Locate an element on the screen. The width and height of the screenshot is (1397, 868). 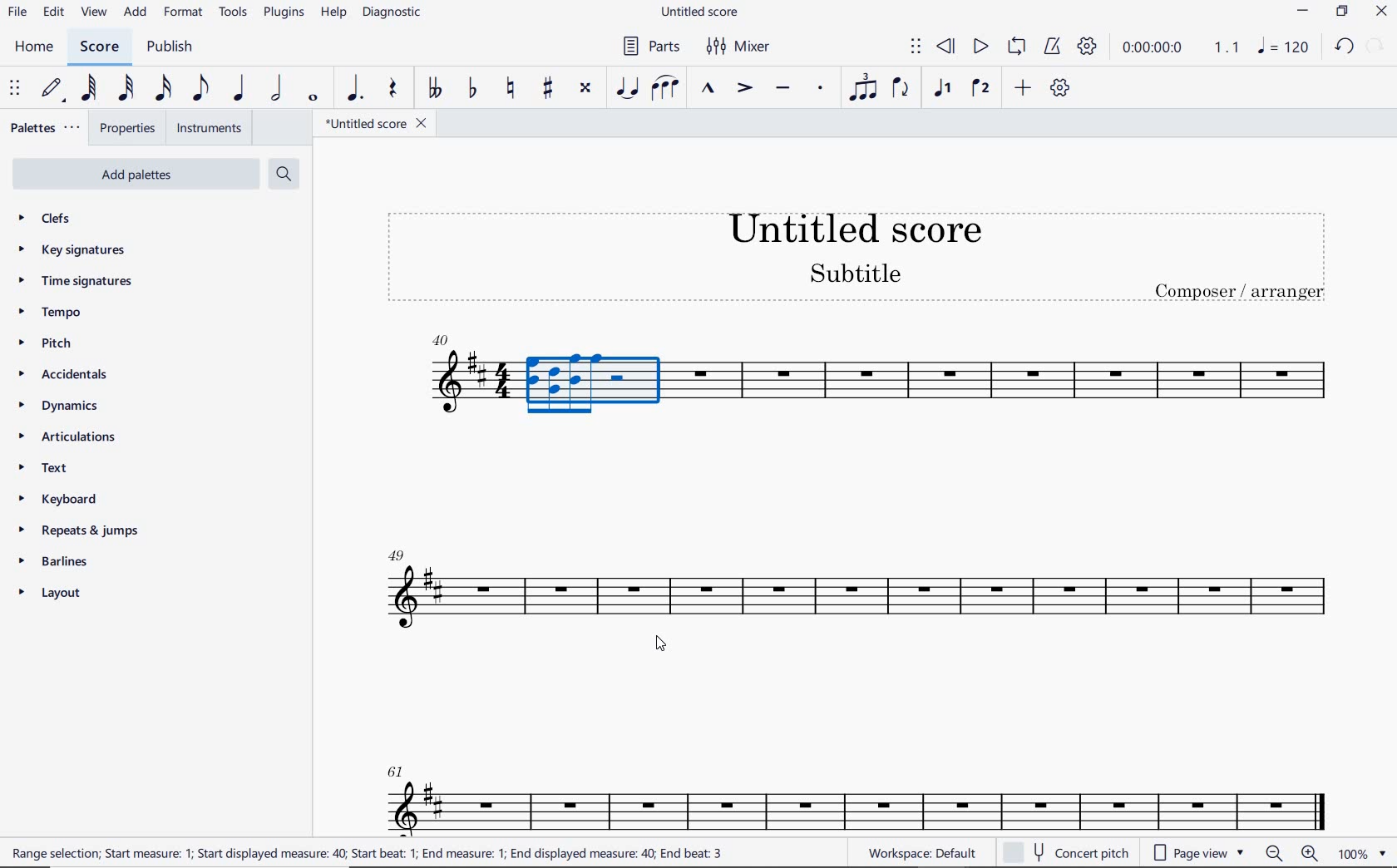
16TH NOTE is located at coordinates (161, 89).